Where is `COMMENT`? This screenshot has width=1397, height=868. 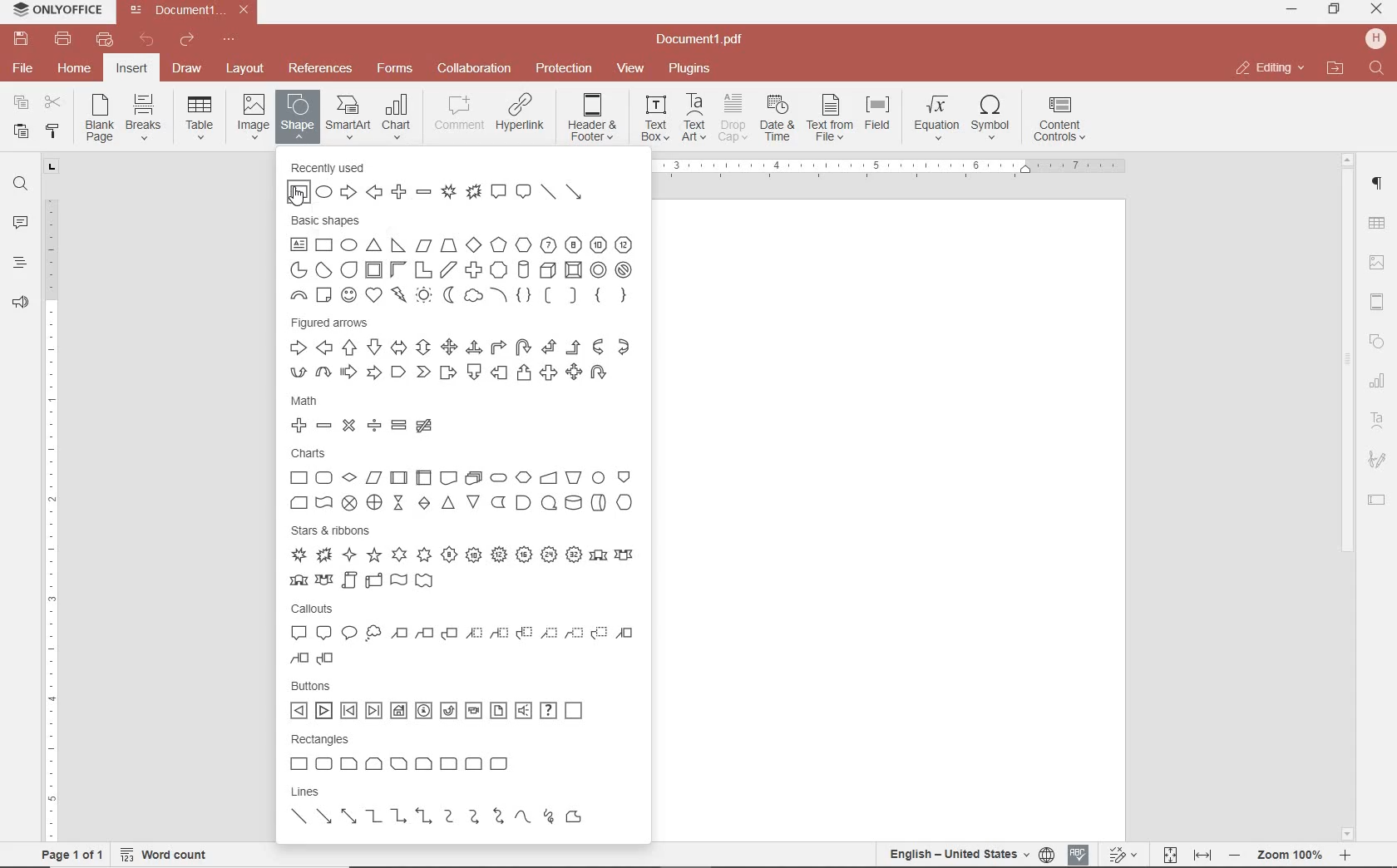 COMMENT is located at coordinates (461, 113).